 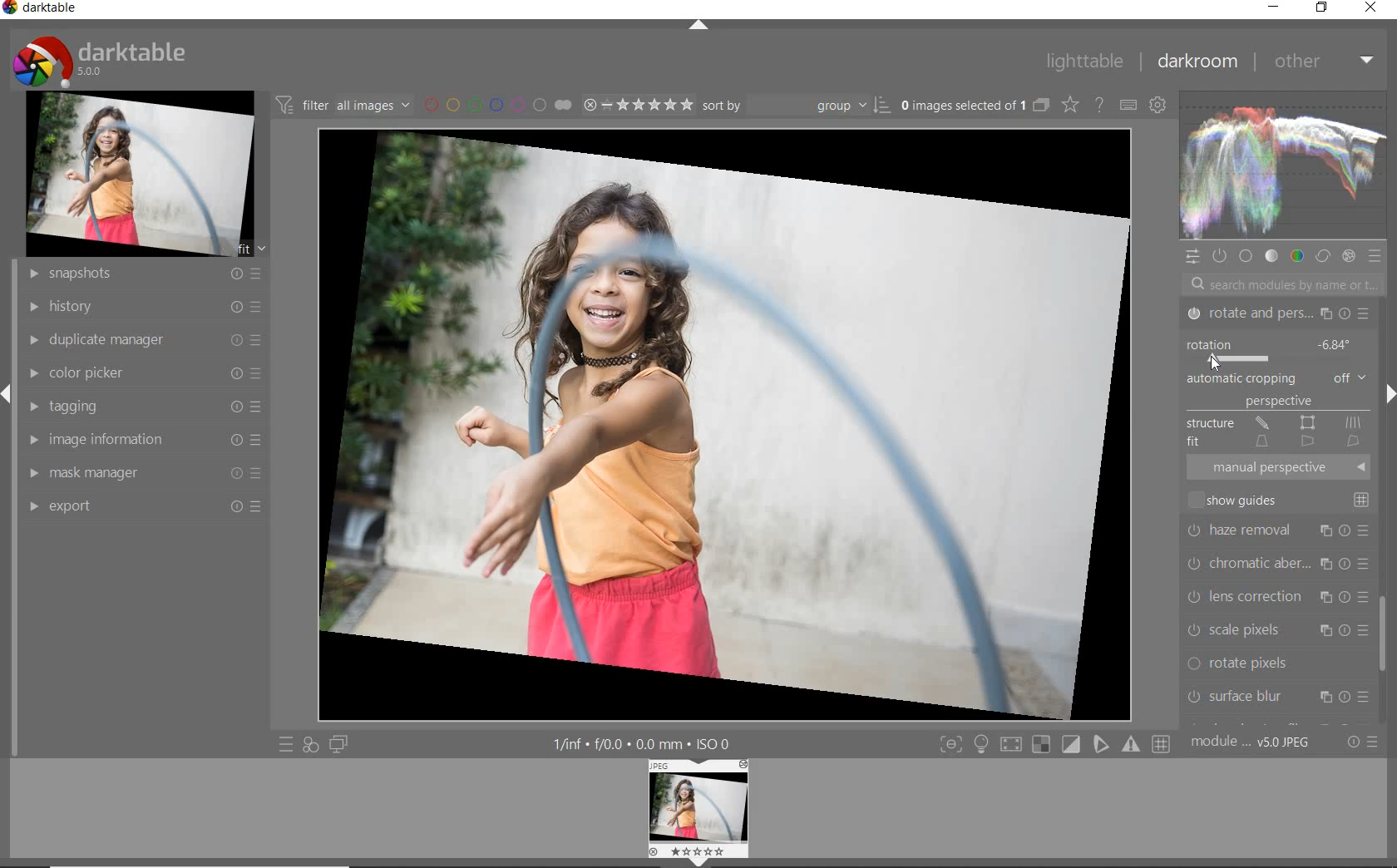 What do you see at coordinates (635, 105) in the screenshot?
I see `selected image range rating` at bounding box center [635, 105].